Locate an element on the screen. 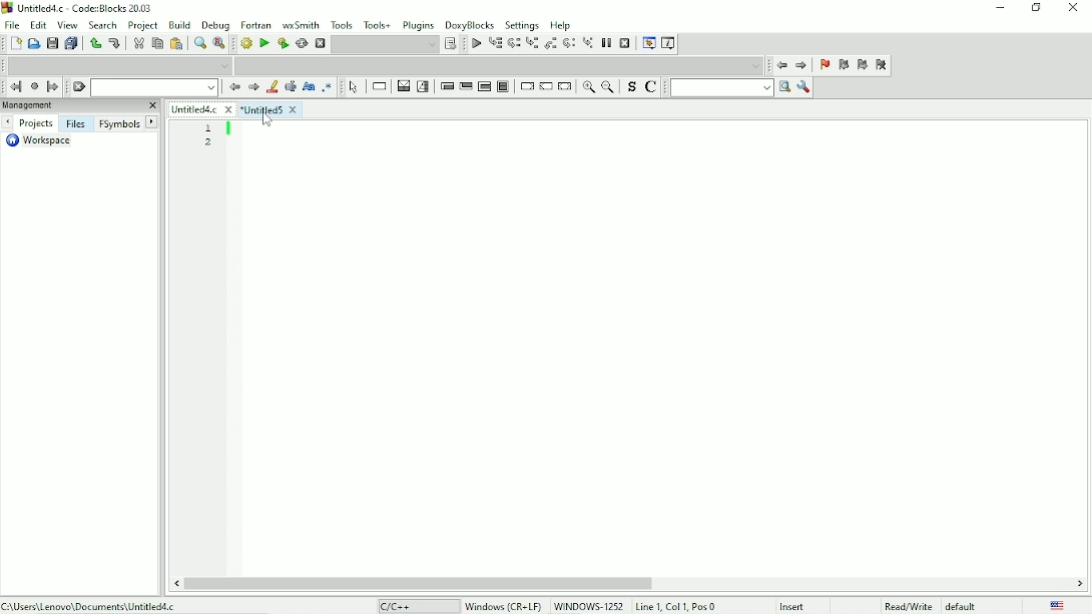 This screenshot has width=1092, height=614. Jump back is located at coordinates (782, 67).